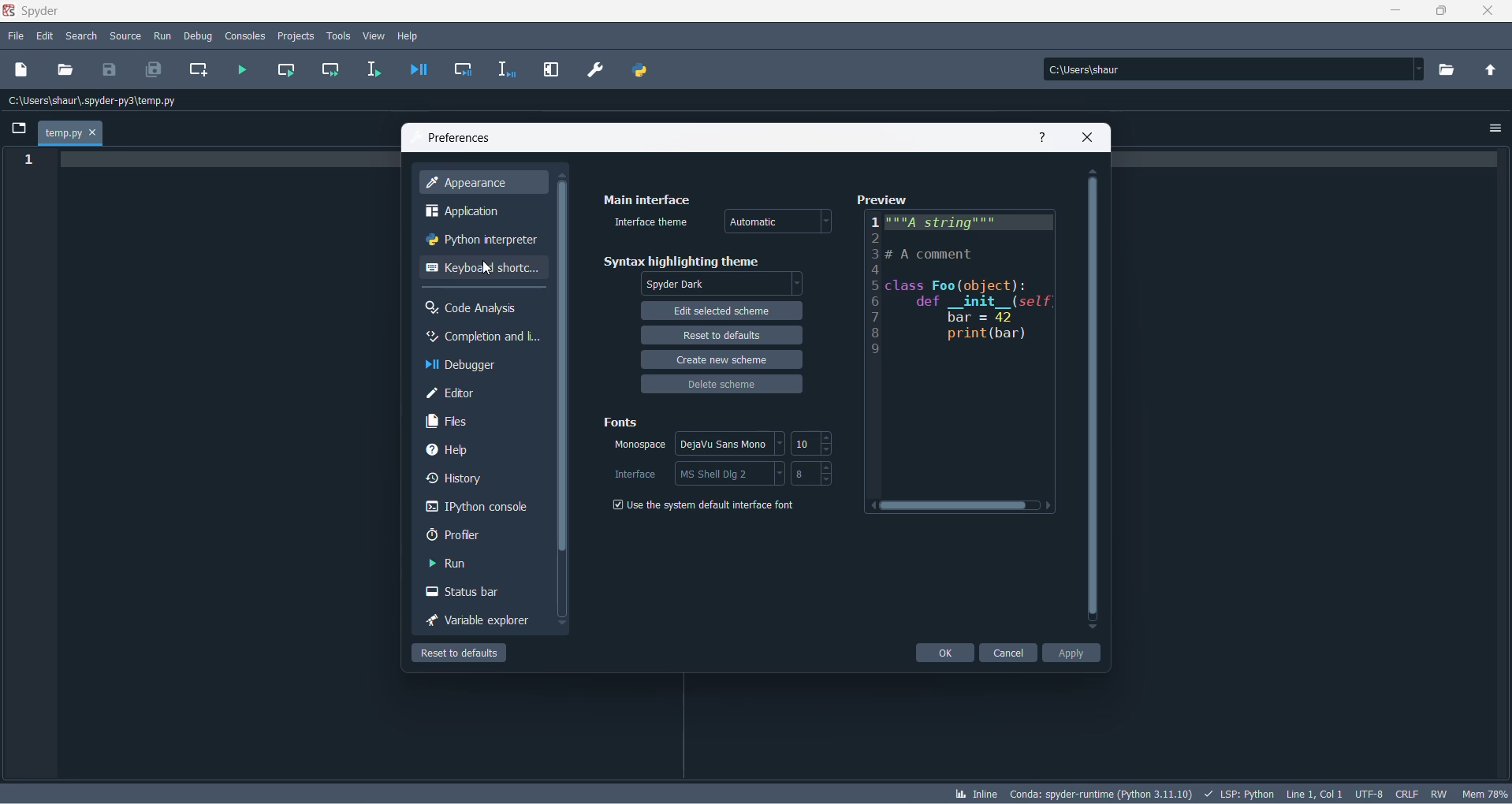  Describe the element at coordinates (32, 161) in the screenshot. I see `line number` at that location.